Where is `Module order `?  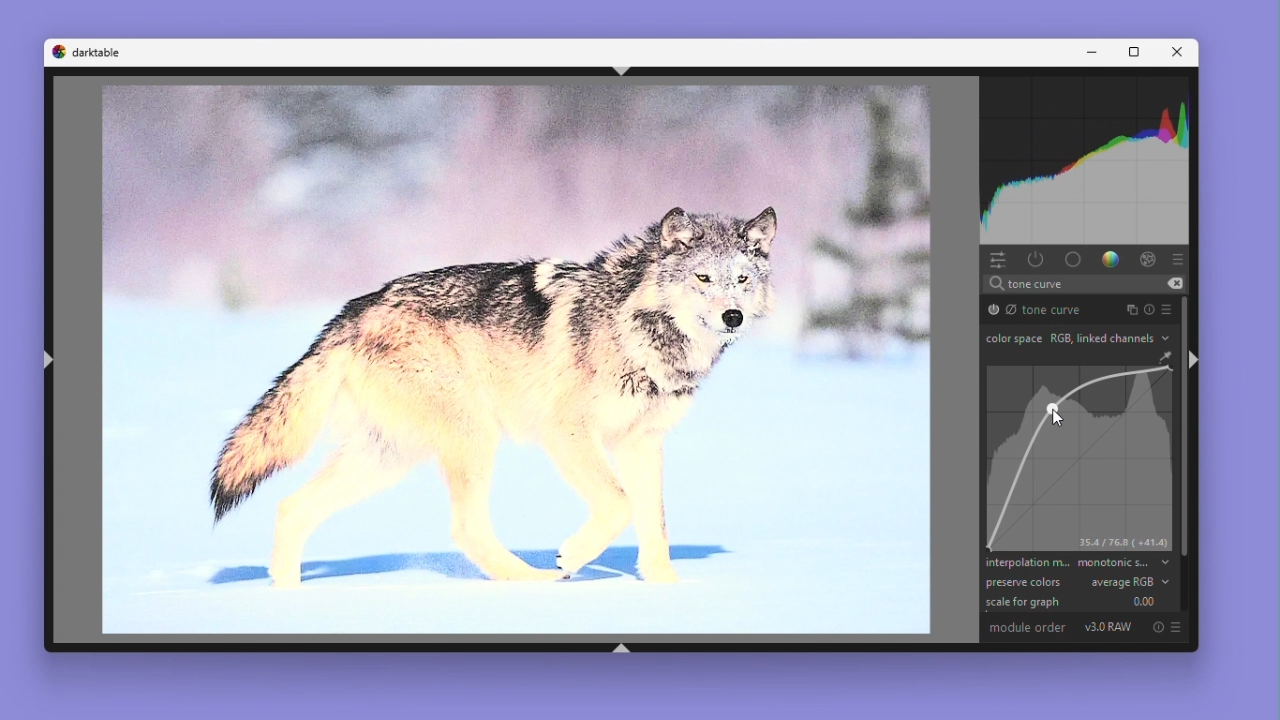
Module order  is located at coordinates (1027, 629).